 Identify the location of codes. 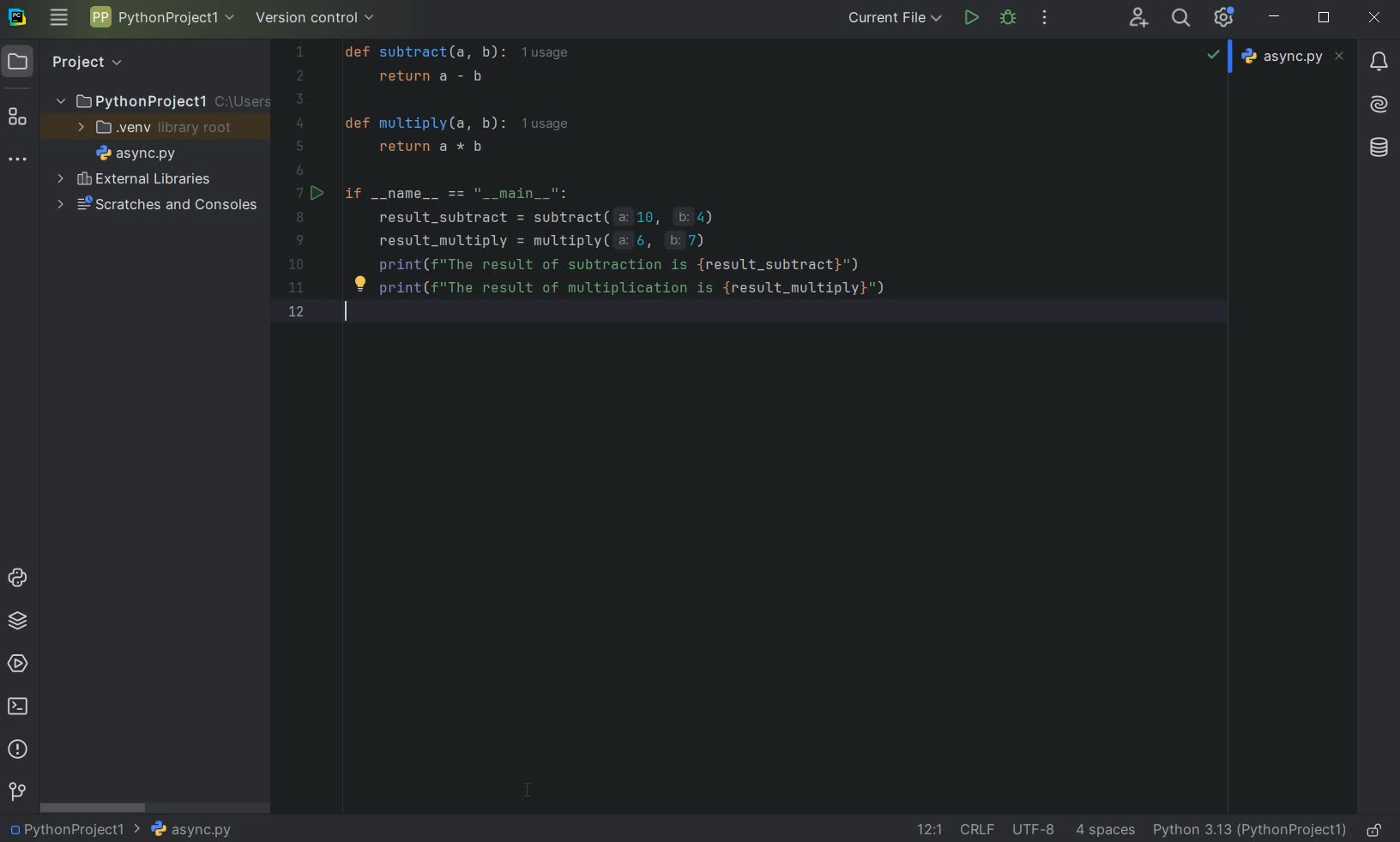
(739, 196).